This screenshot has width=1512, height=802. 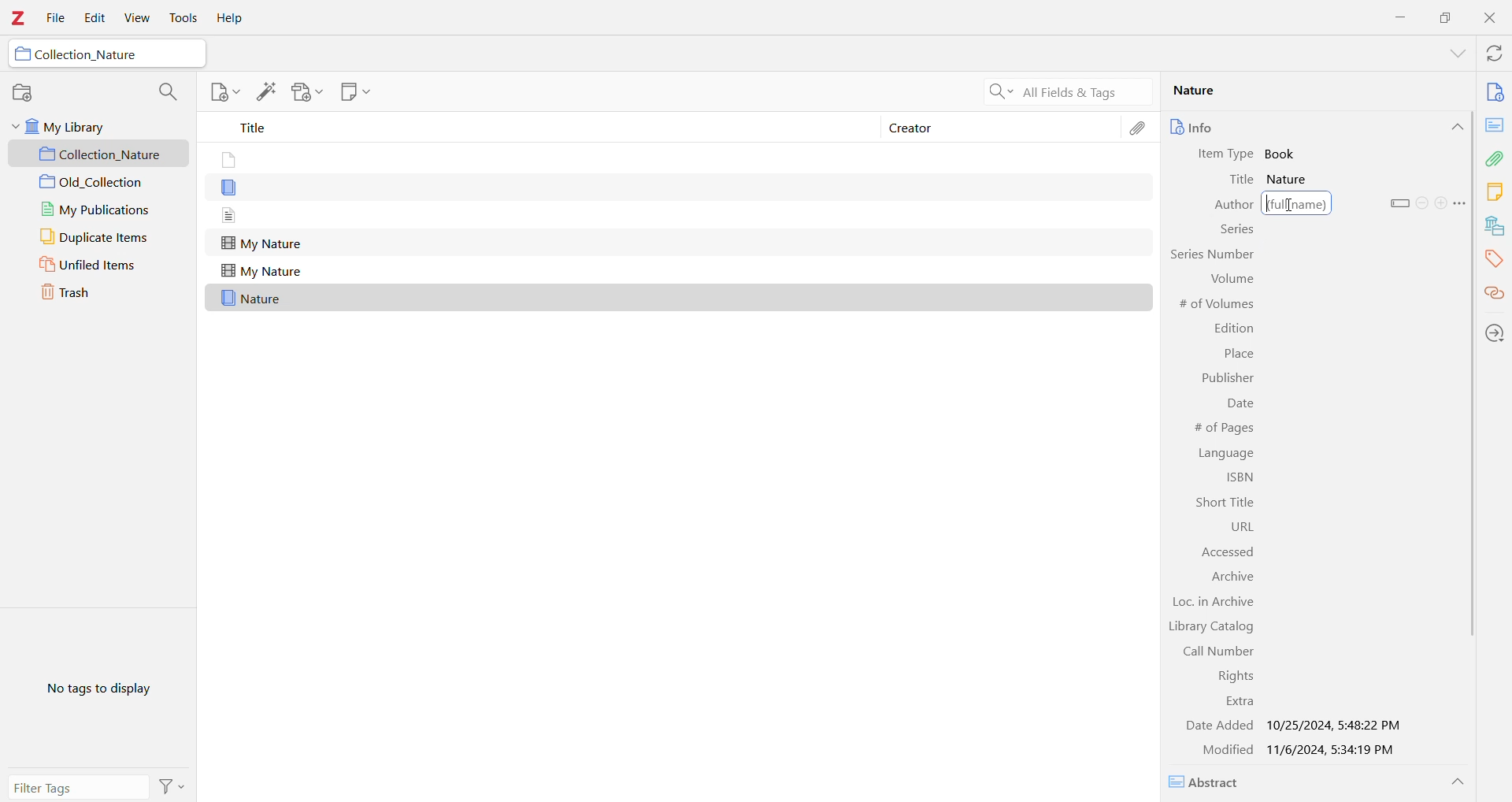 What do you see at coordinates (1494, 125) in the screenshot?
I see `Abstract` at bounding box center [1494, 125].